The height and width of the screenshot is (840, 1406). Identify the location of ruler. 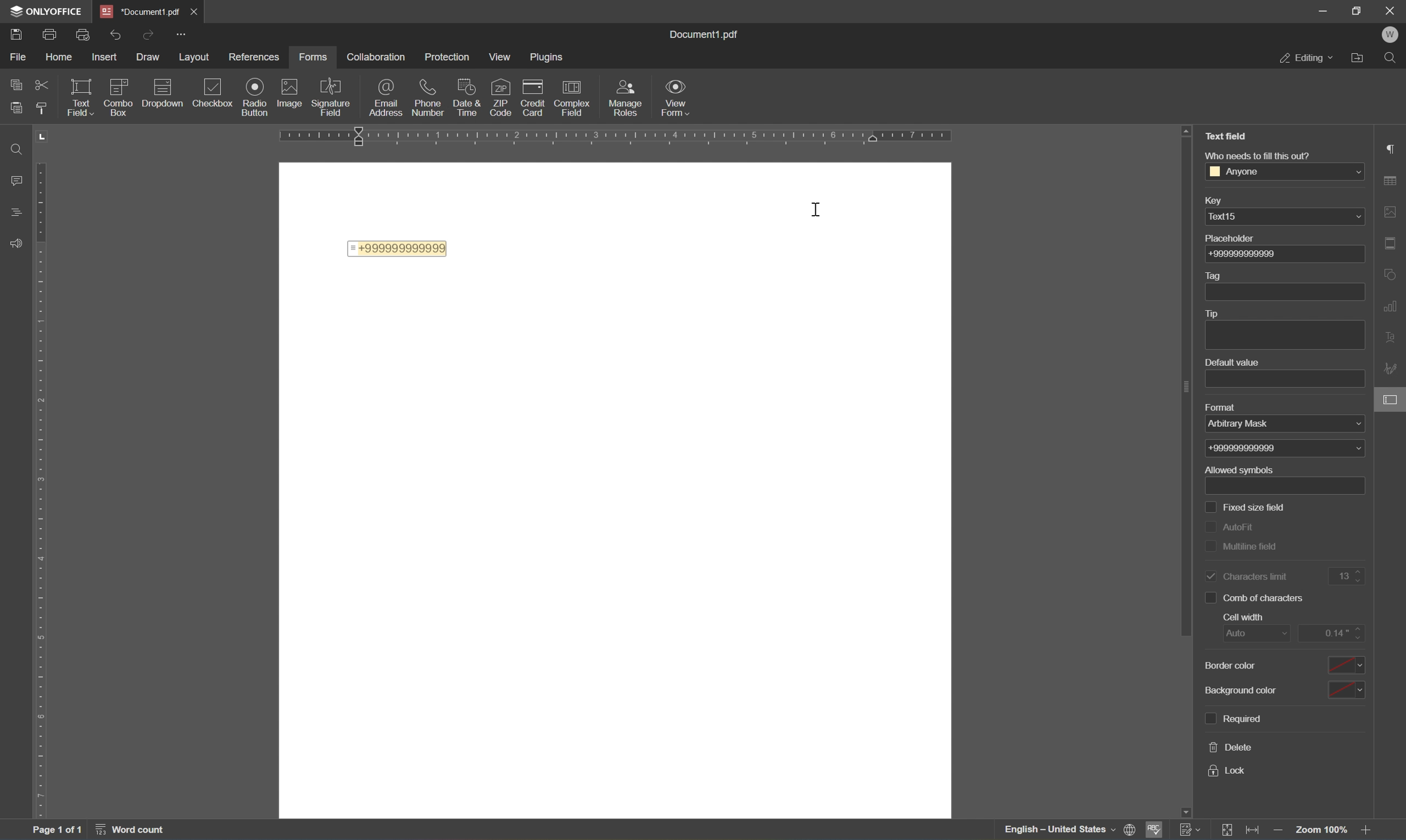
(46, 474).